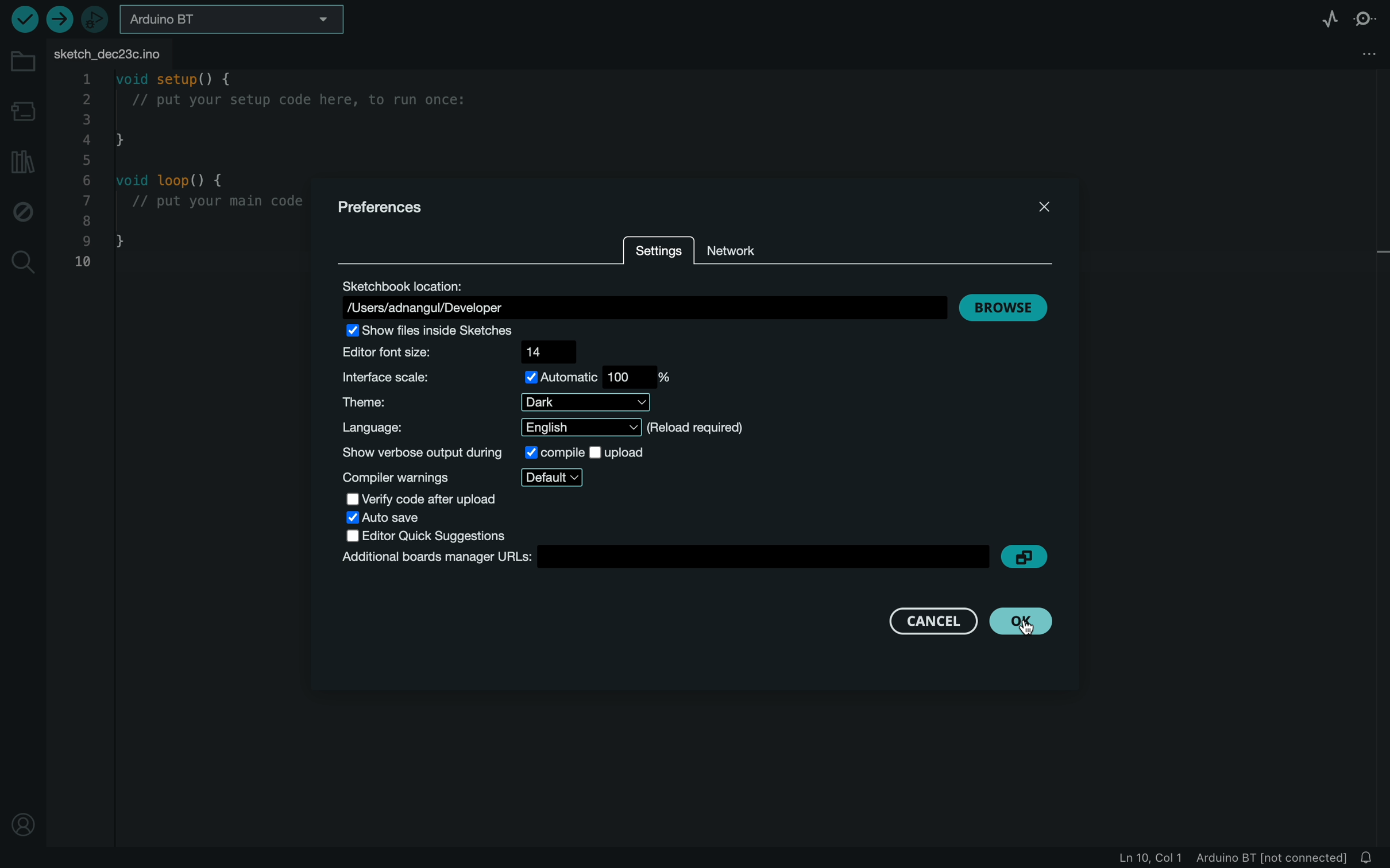 This screenshot has height=868, width=1390. What do you see at coordinates (497, 402) in the screenshot?
I see `theme` at bounding box center [497, 402].